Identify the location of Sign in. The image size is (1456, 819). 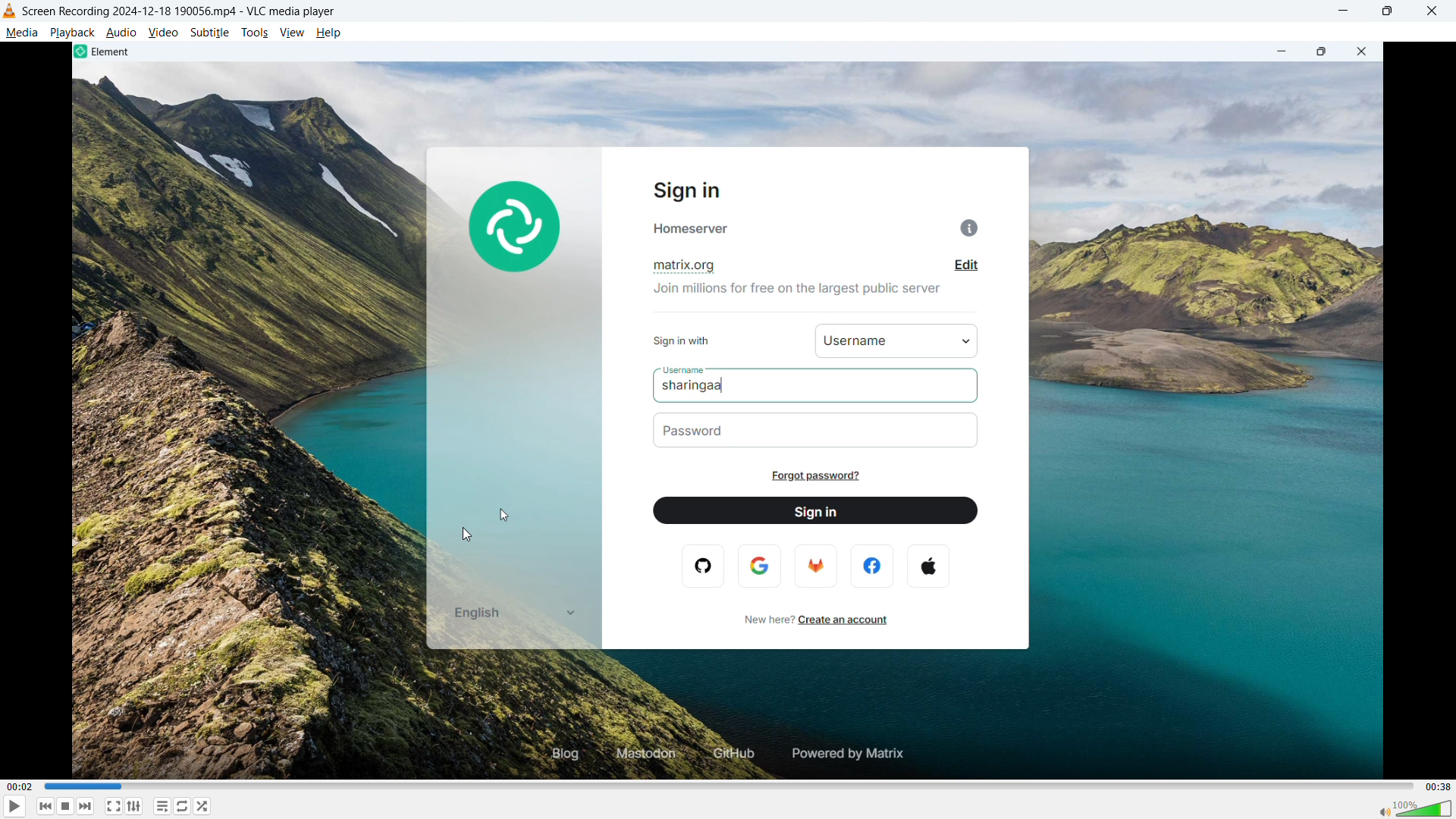
(813, 510).